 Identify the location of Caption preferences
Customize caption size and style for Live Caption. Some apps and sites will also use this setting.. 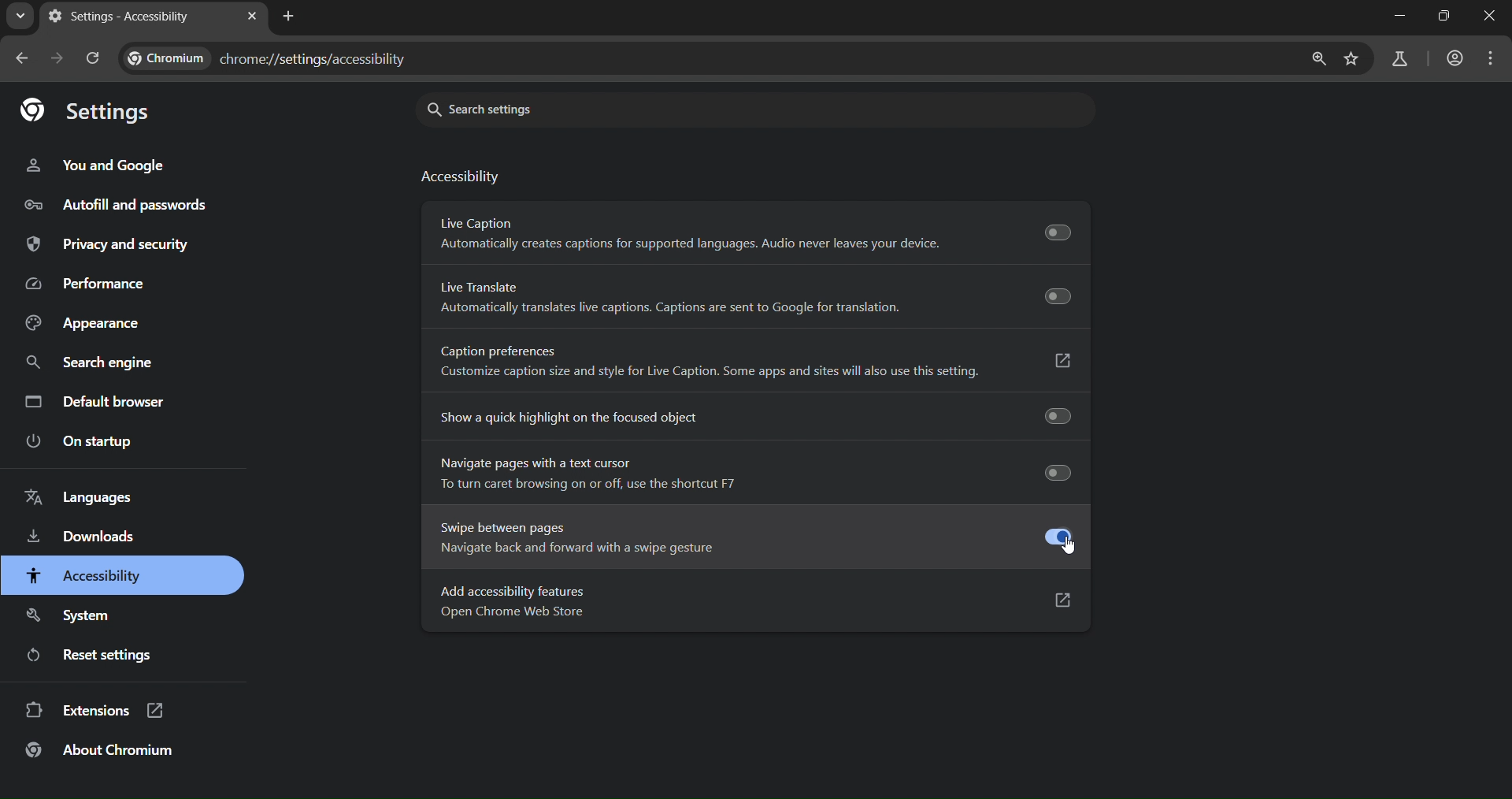
(756, 359).